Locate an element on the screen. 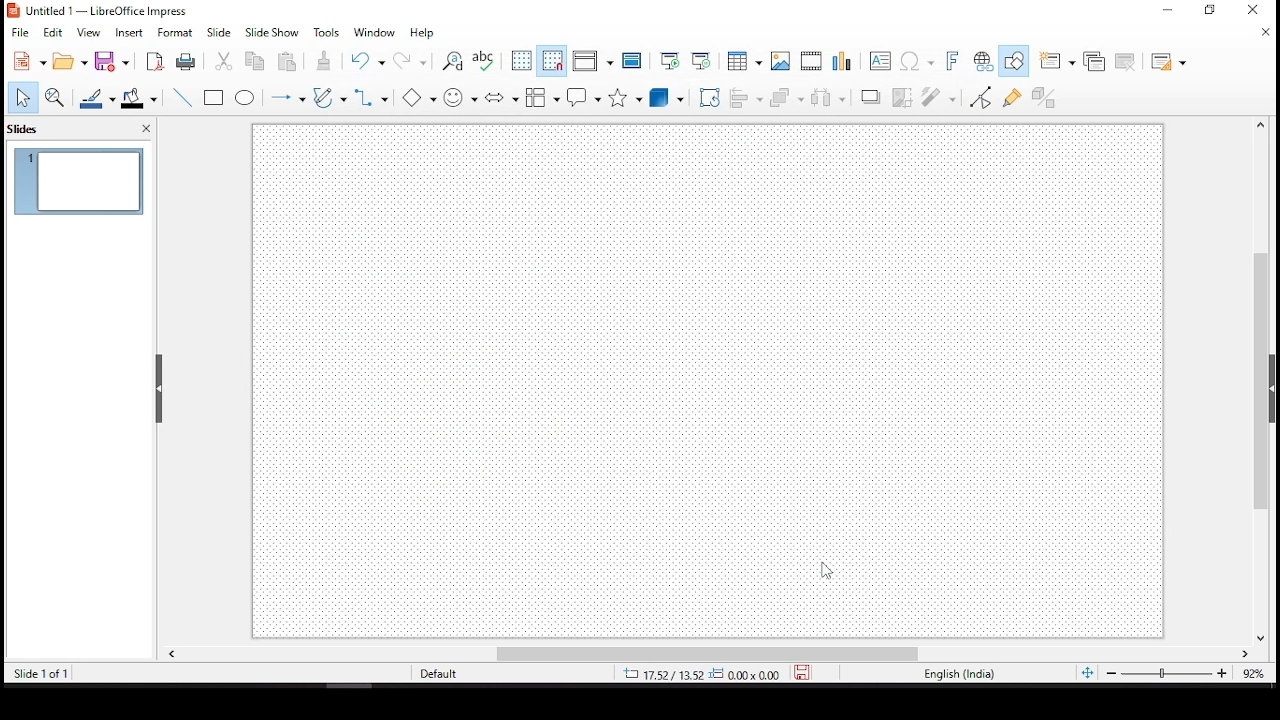  copy is located at coordinates (254, 61).